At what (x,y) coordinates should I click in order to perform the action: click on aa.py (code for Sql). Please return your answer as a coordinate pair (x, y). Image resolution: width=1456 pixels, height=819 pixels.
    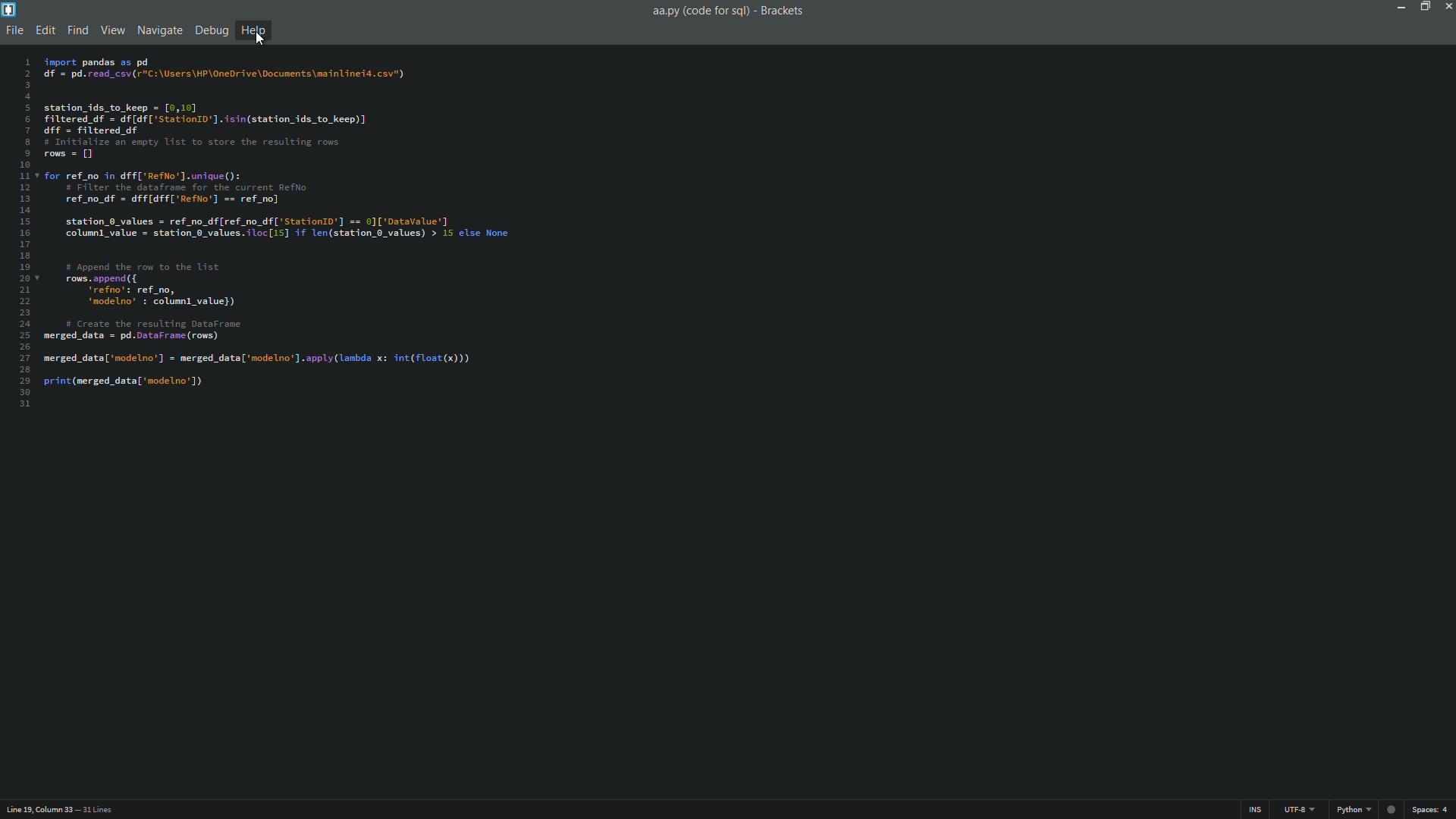
    Looking at the image, I should click on (699, 11).